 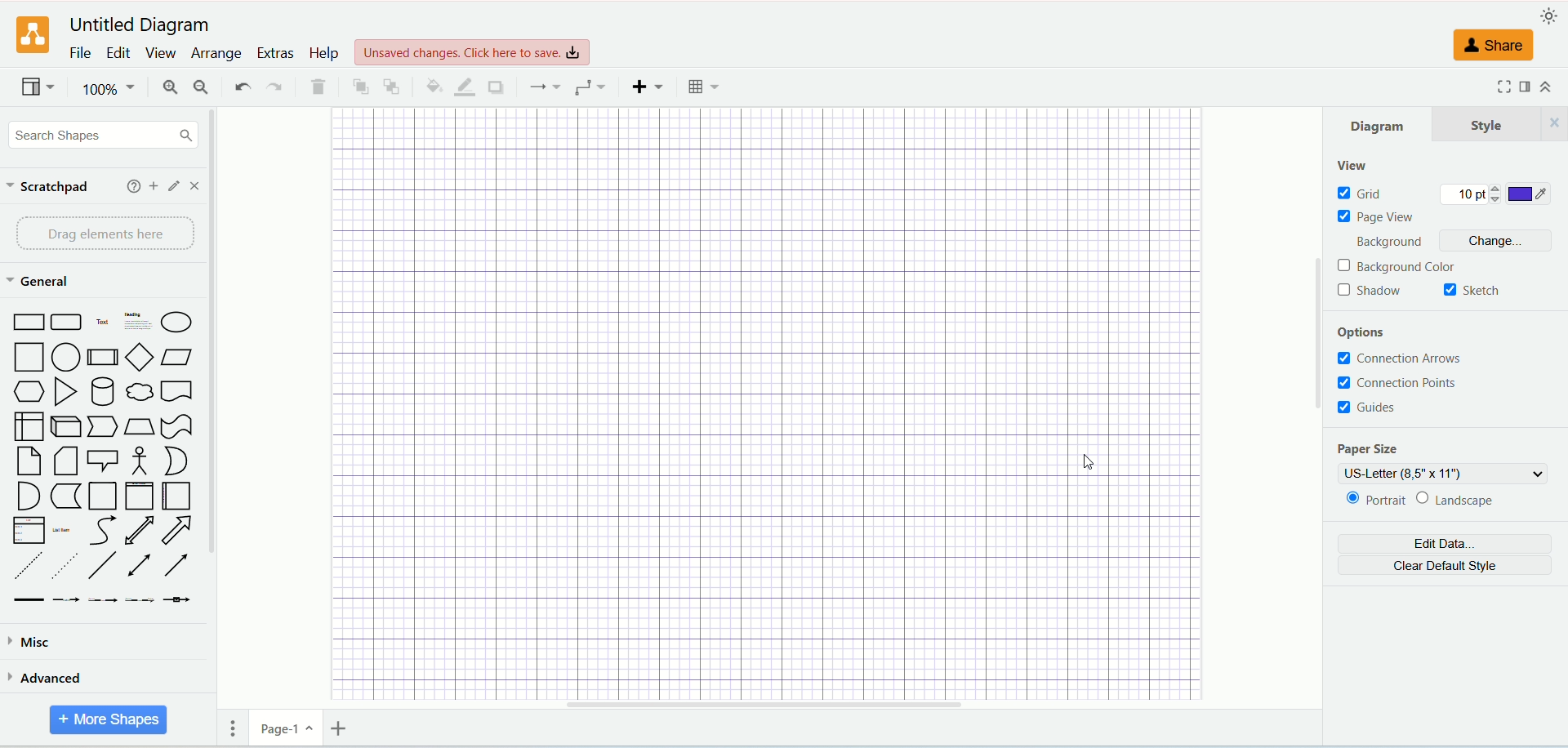 What do you see at coordinates (278, 52) in the screenshot?
I see `extras` at bounding box center [278, 52].